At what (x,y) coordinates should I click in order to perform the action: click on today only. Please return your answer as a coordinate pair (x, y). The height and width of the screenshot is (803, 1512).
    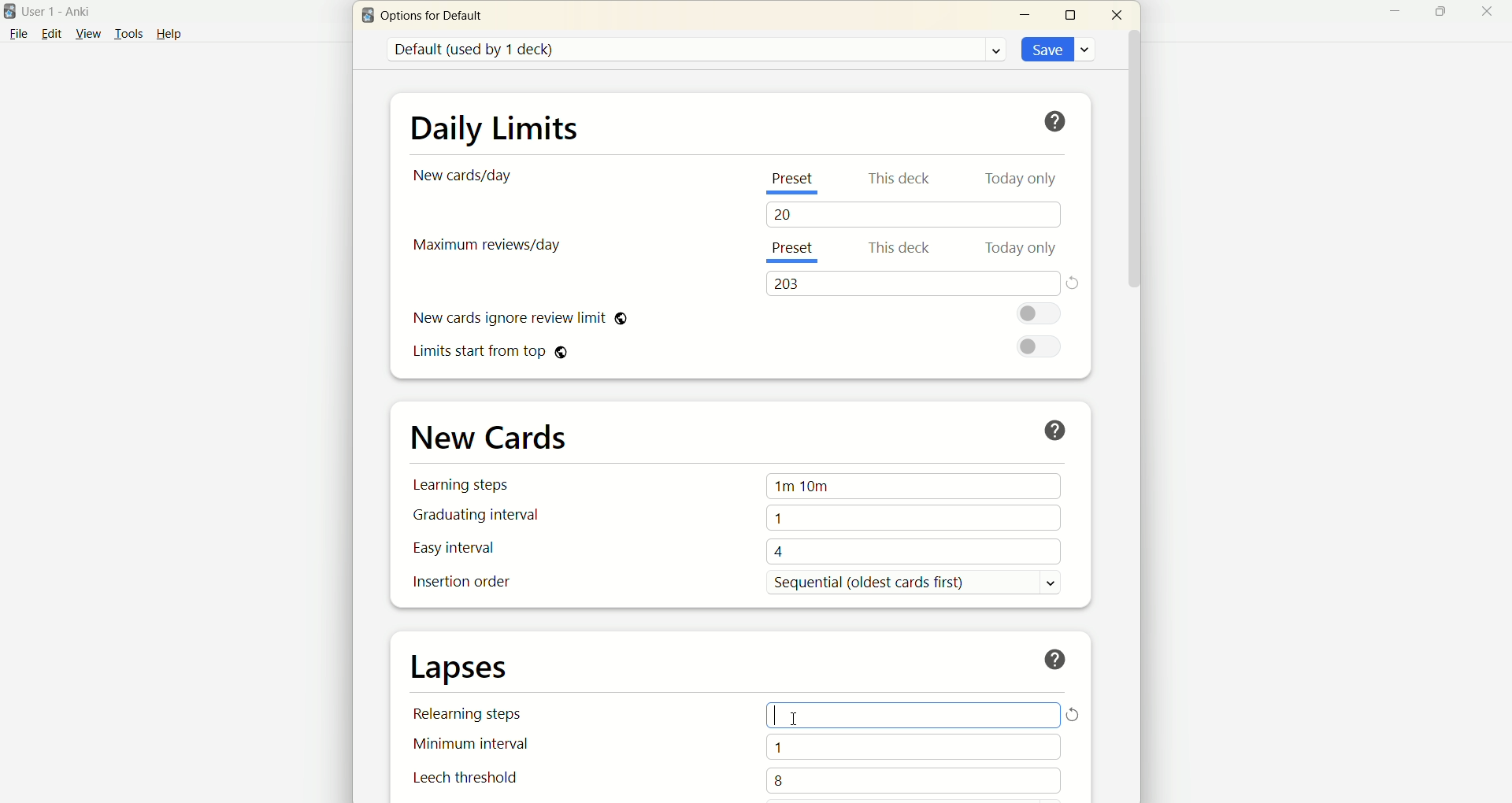
    Looking at the image, I should click on (1025, 183).